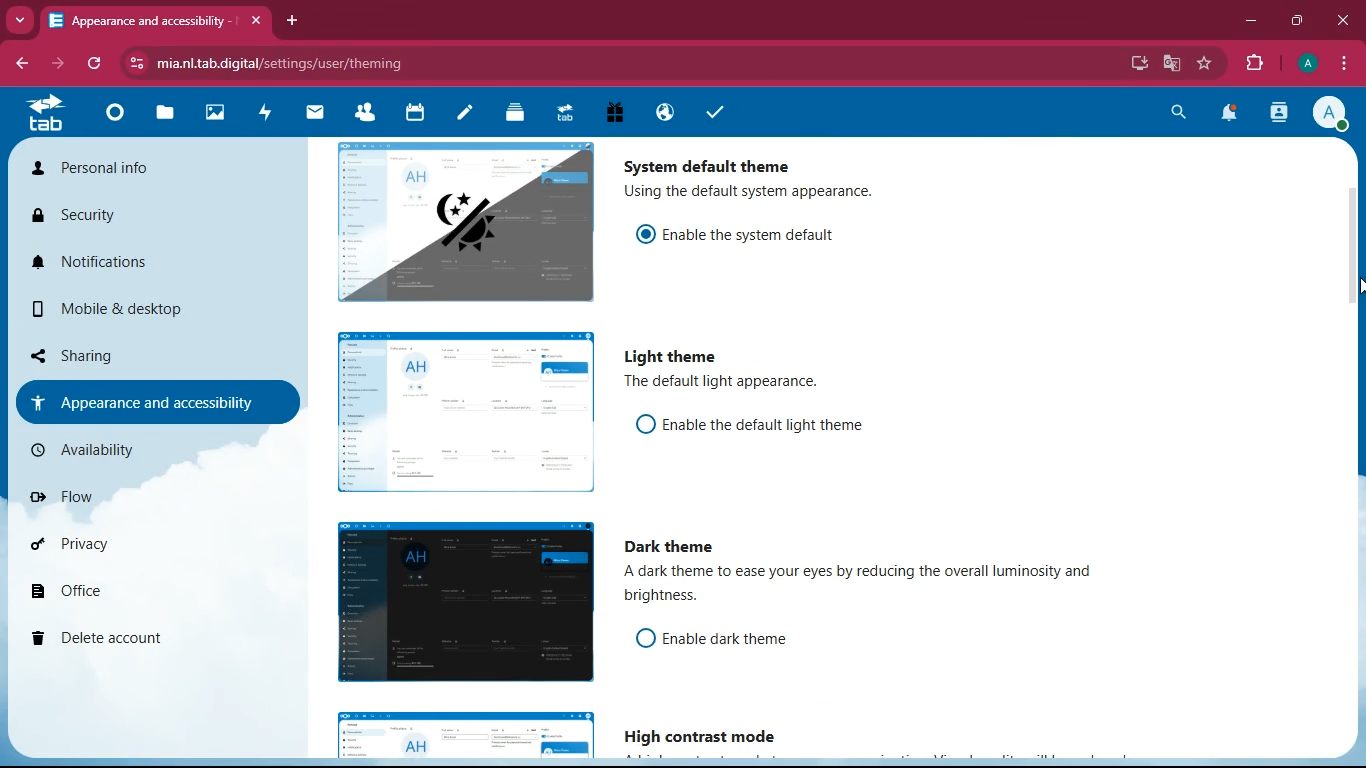  Describe the element at coordinates (873, 588) in the screenshot. I see `description` at that location.